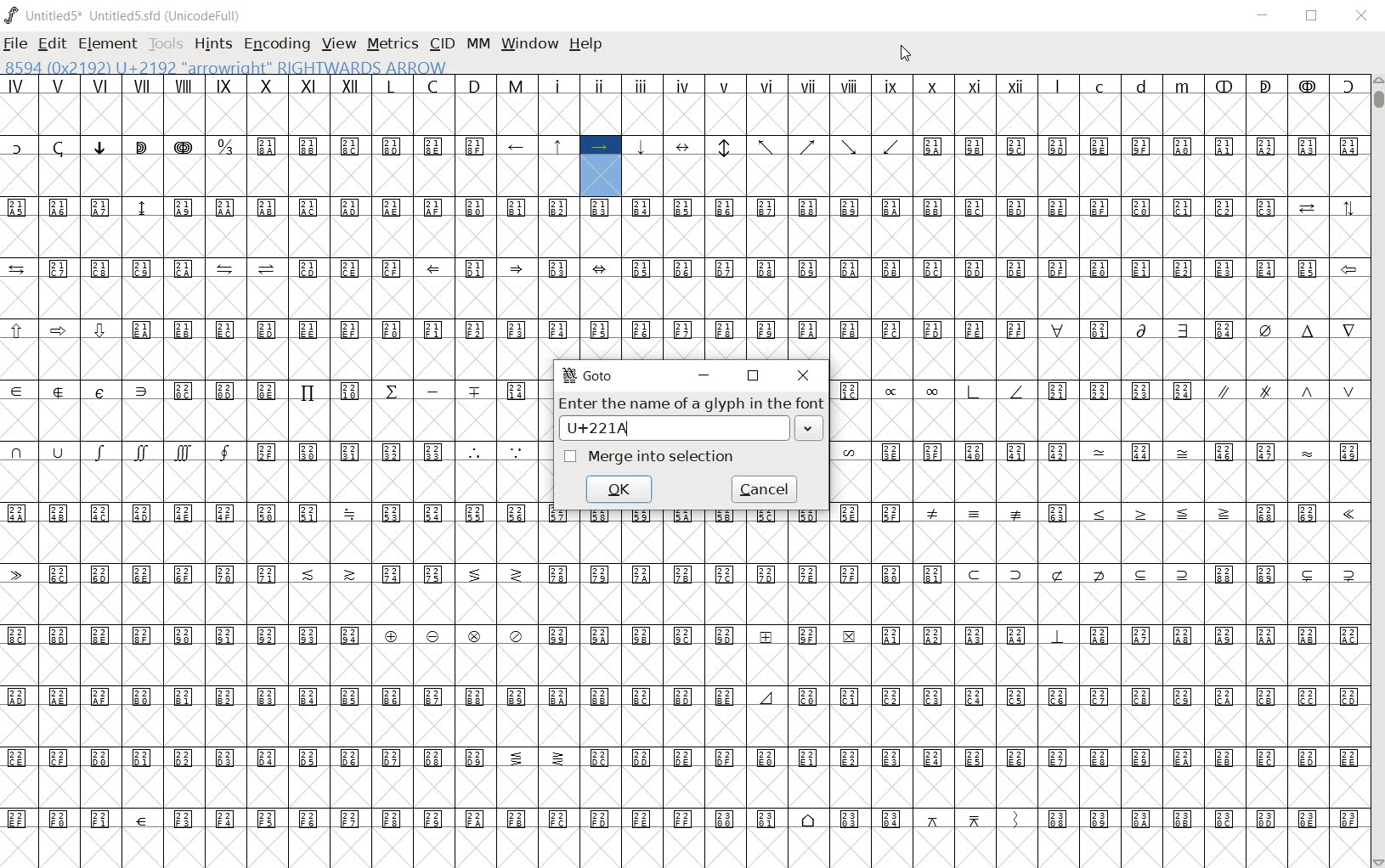 This screenshot has width=1385, height=868. What do you see at coordinates (1362, 15) in the screenshot?
I see `CLOSE` at bounding box center [1362, 15].